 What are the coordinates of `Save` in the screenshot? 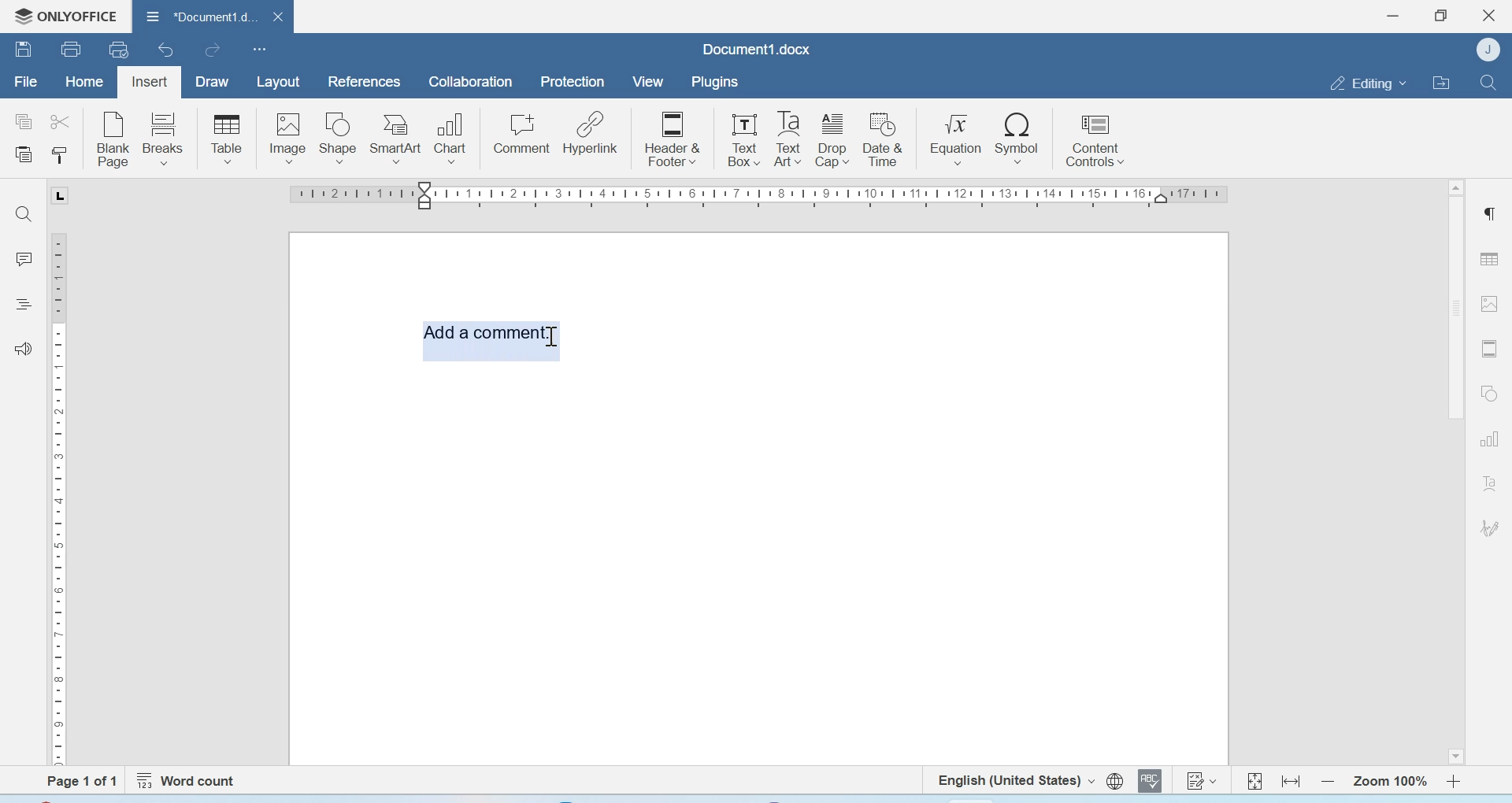 It's located at (23, 48).